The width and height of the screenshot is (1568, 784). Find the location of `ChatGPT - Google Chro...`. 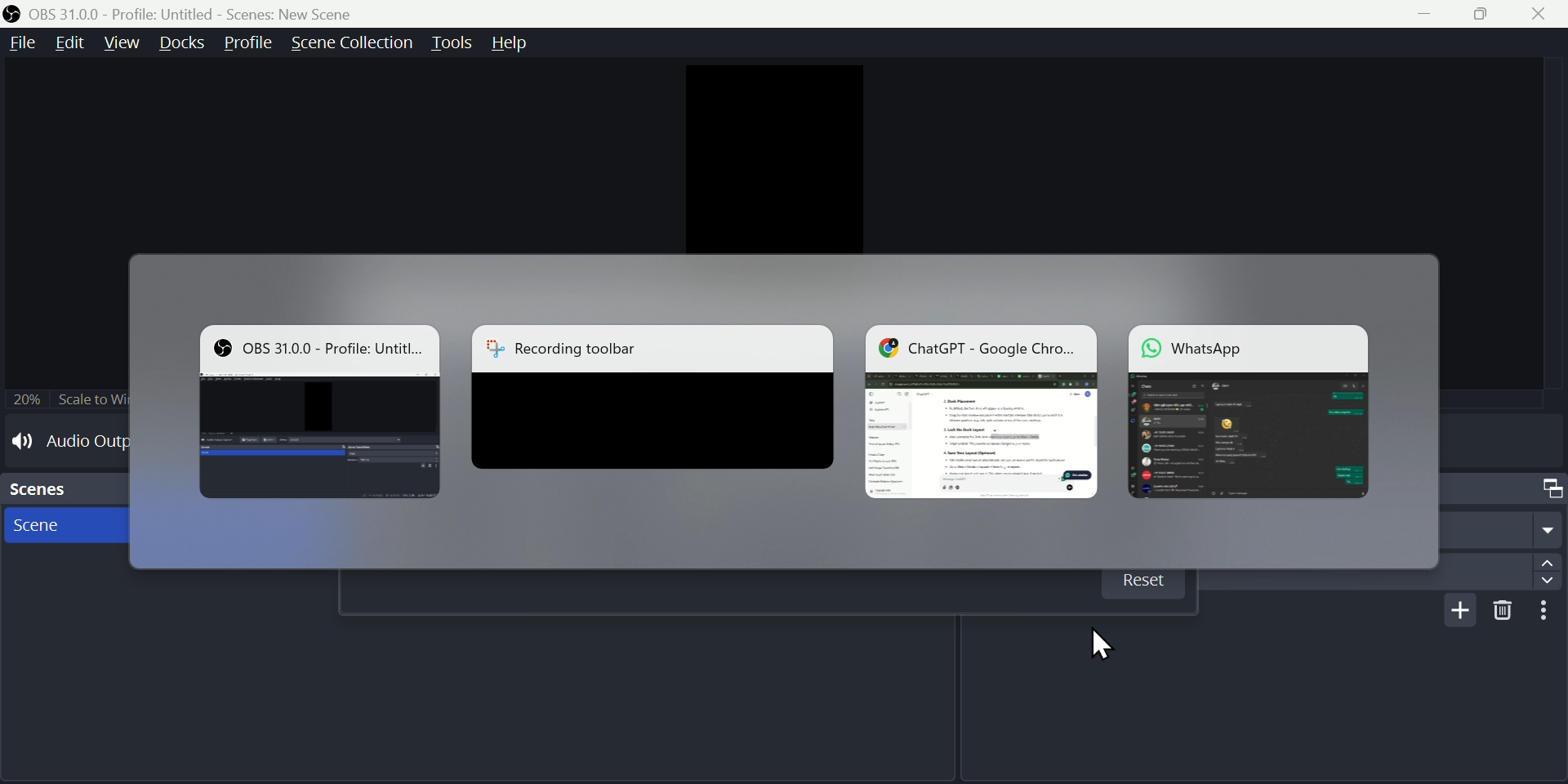

ChatGPT - Google Chro... is located at coordinates (985, 411).